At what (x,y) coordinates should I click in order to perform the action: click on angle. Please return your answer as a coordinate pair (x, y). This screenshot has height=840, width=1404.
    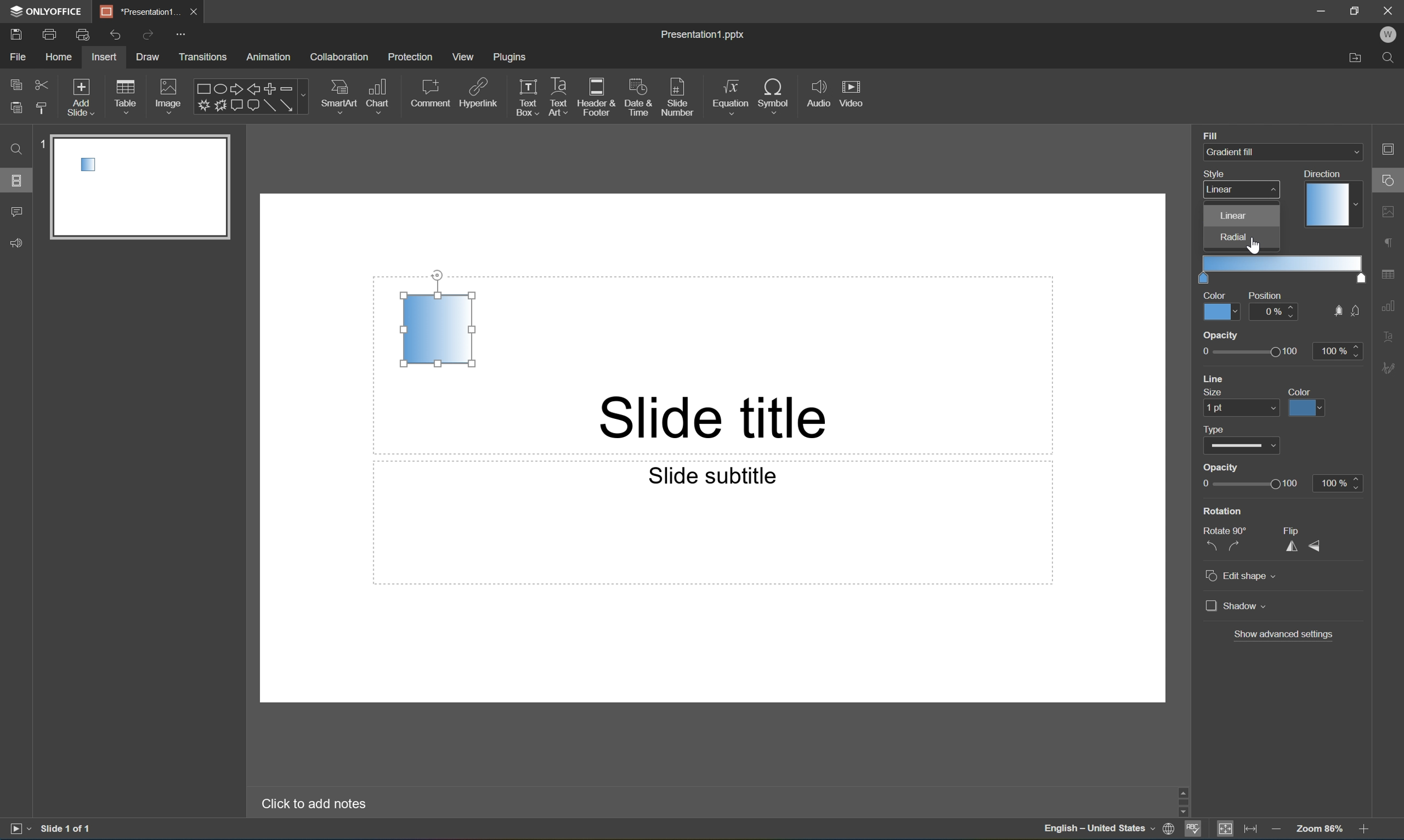
    Looking at the image, I should click on (1240, 219).